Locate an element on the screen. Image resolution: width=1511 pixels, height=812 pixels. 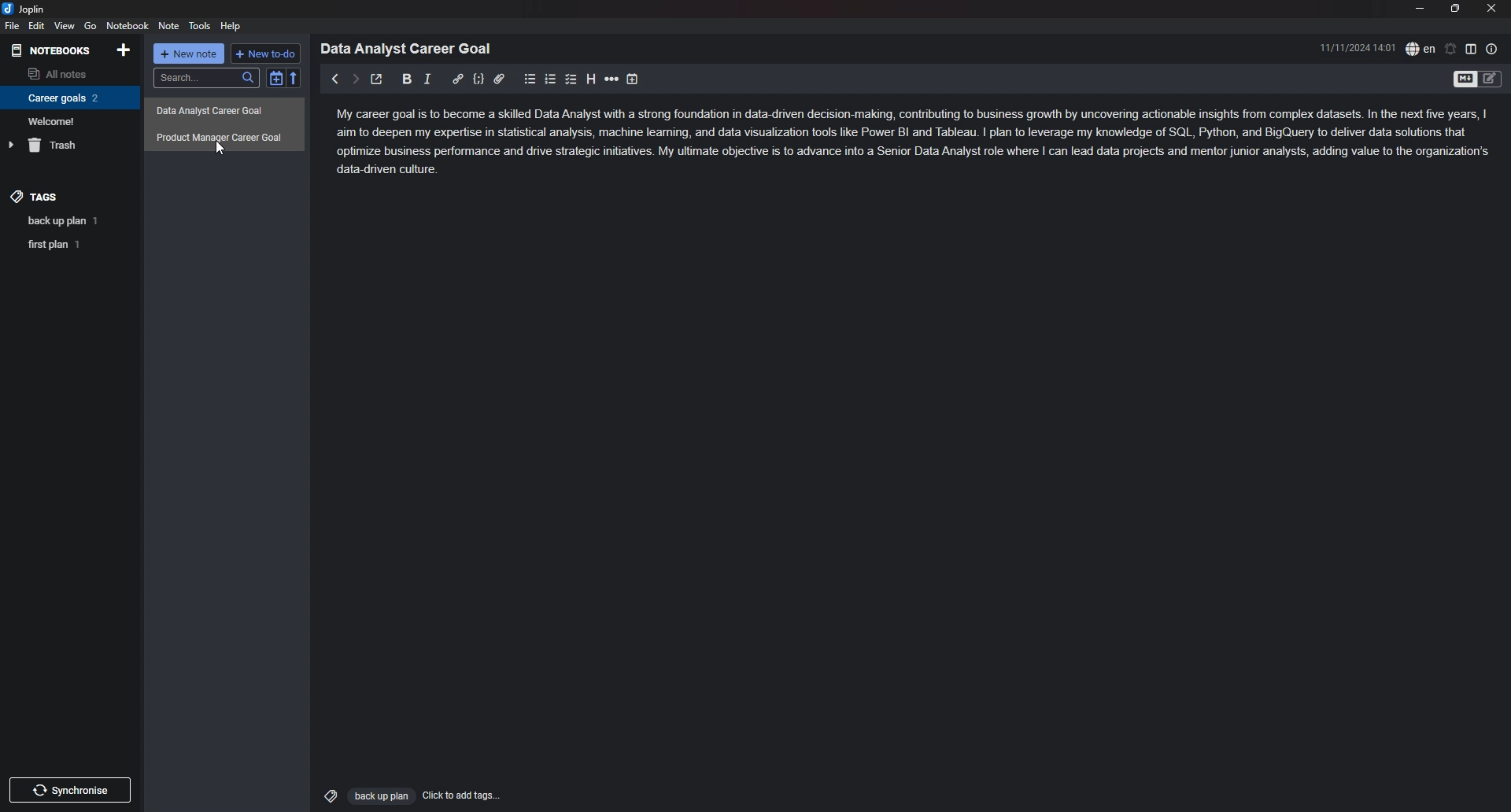
Toggle Editor is located at coordinates (1491, 80).